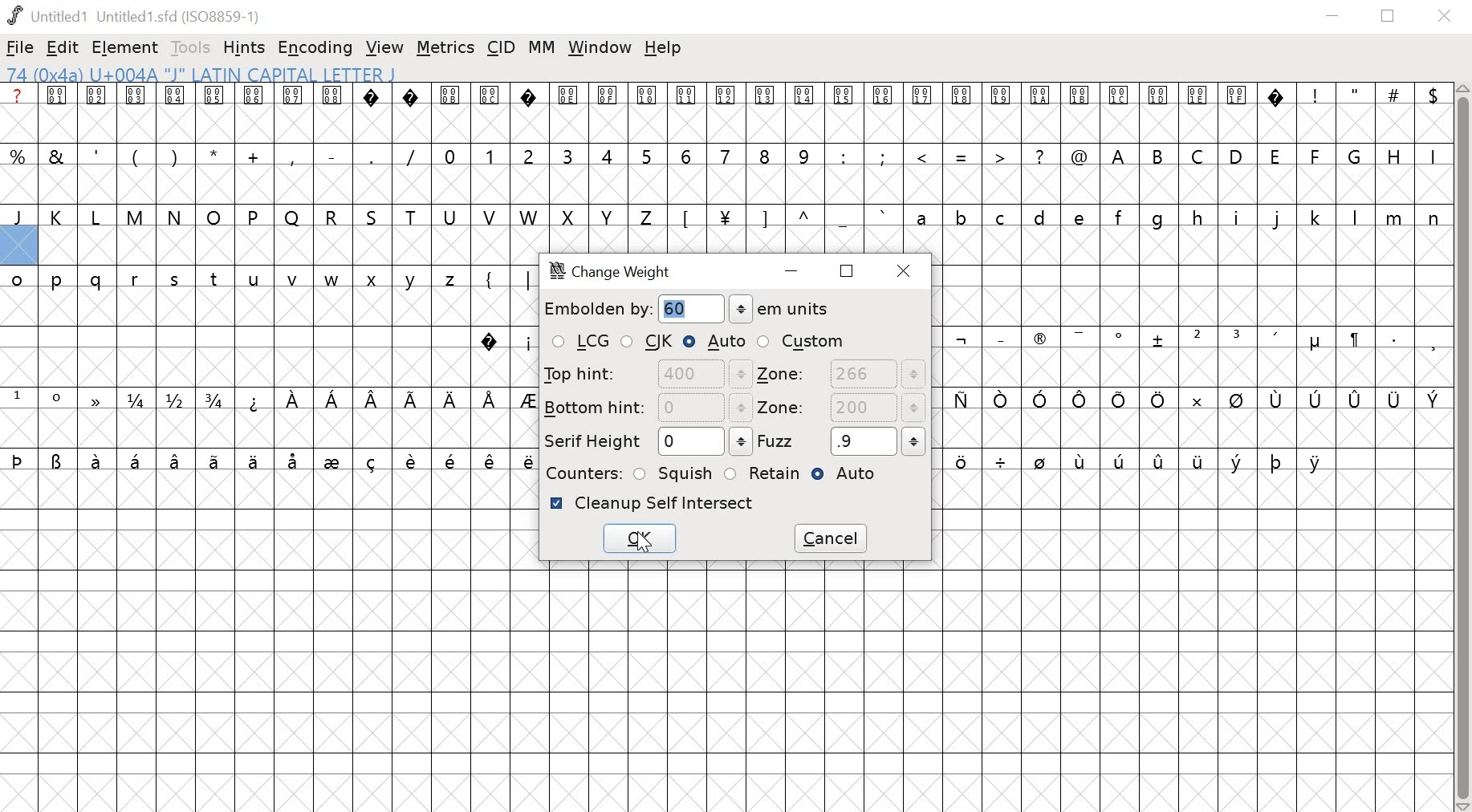 The height and width of the screenshot is (812, 1472). What do you see at coordinates (579, 343) in the screenshot?
I see `LCG` at bounding box center [579, 343].